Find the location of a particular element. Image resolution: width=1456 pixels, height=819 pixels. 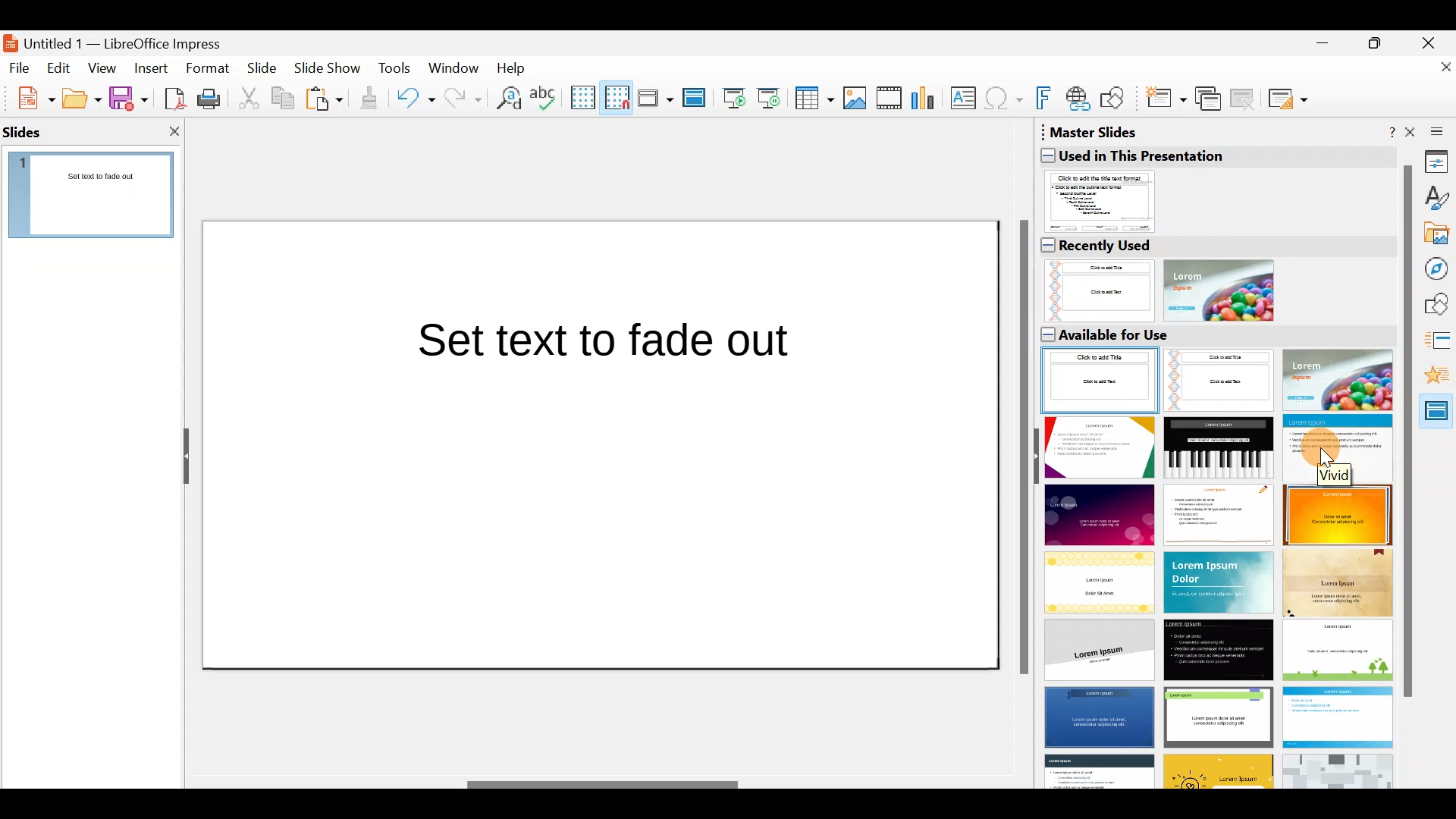

Close is located at coordinates (1434, 41).